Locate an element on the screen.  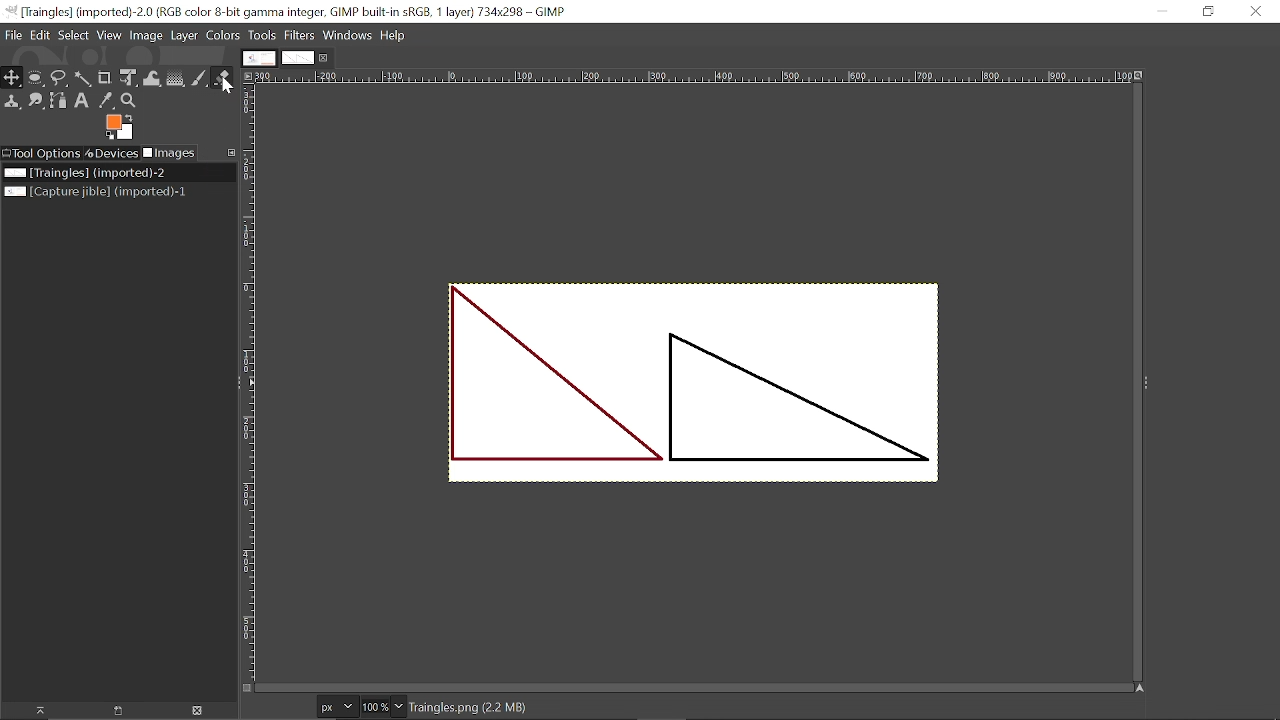
Current window is located at coordinates (292, 11).